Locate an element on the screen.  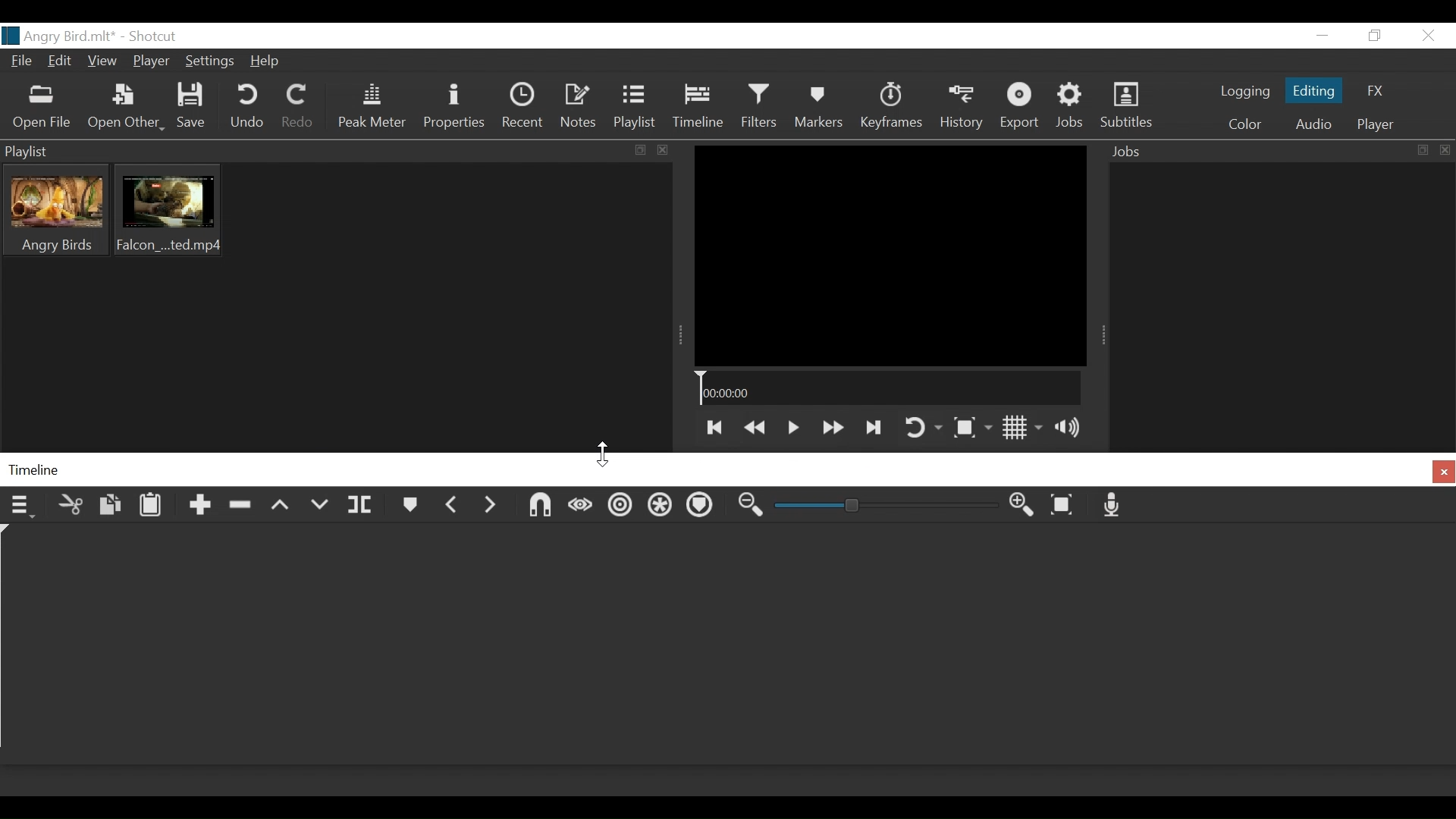
Timeline menu is located at coordinates (22, 507).